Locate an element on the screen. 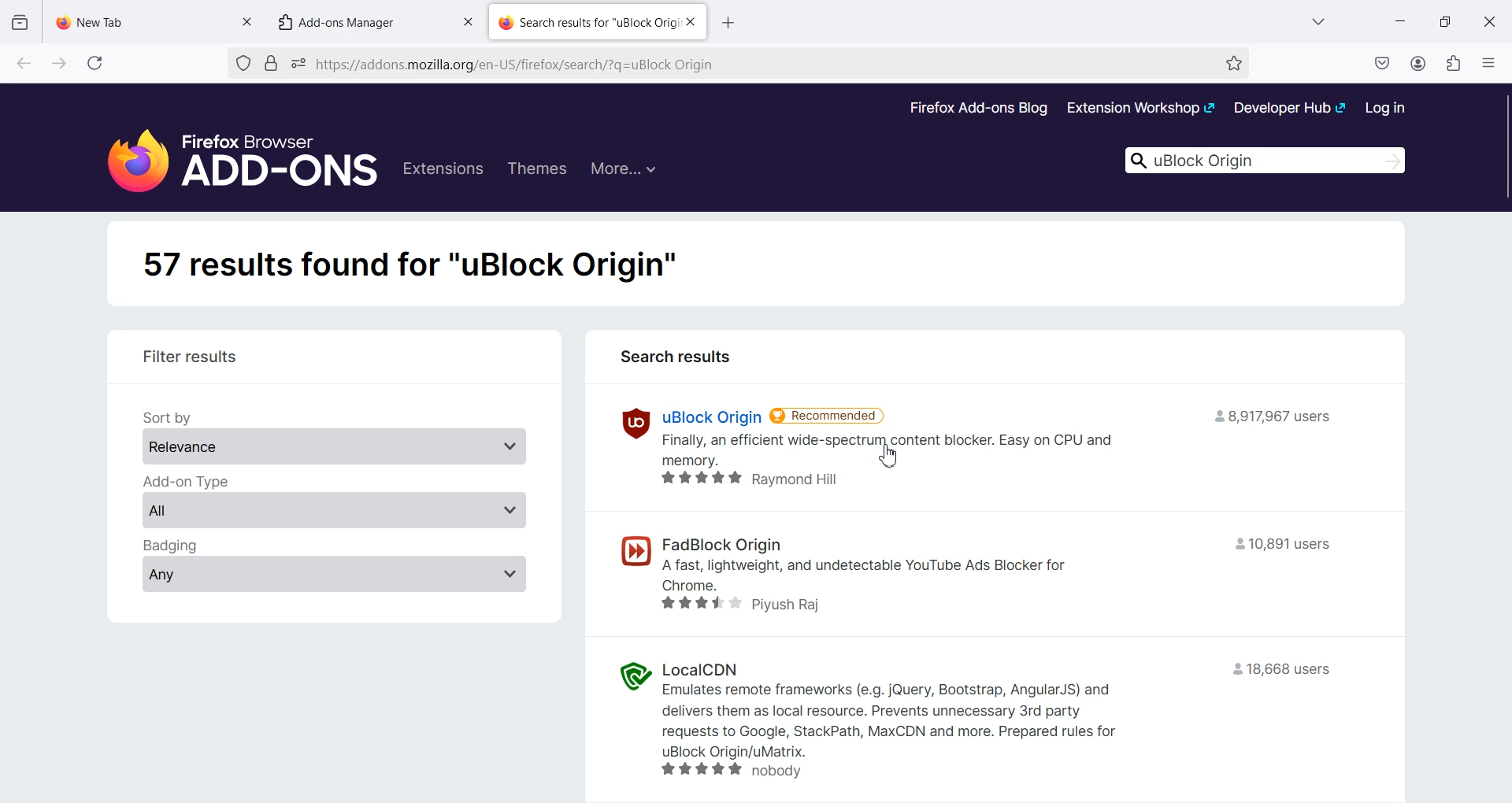 The width and height of the screenshot is (1512, 803). Search results is located at coordinates (674, 356).